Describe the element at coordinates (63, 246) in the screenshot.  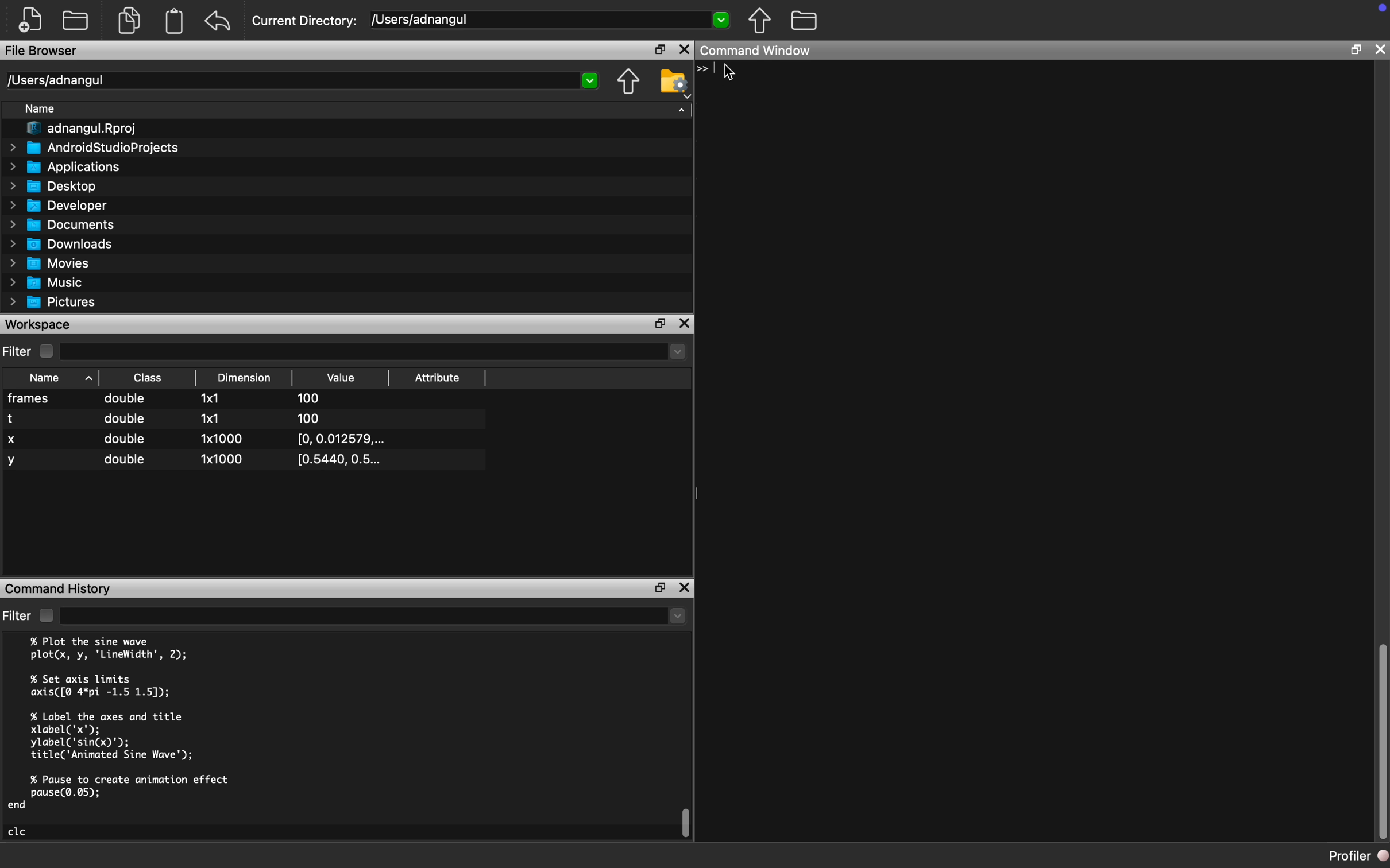
I see `Downloads` at that location.